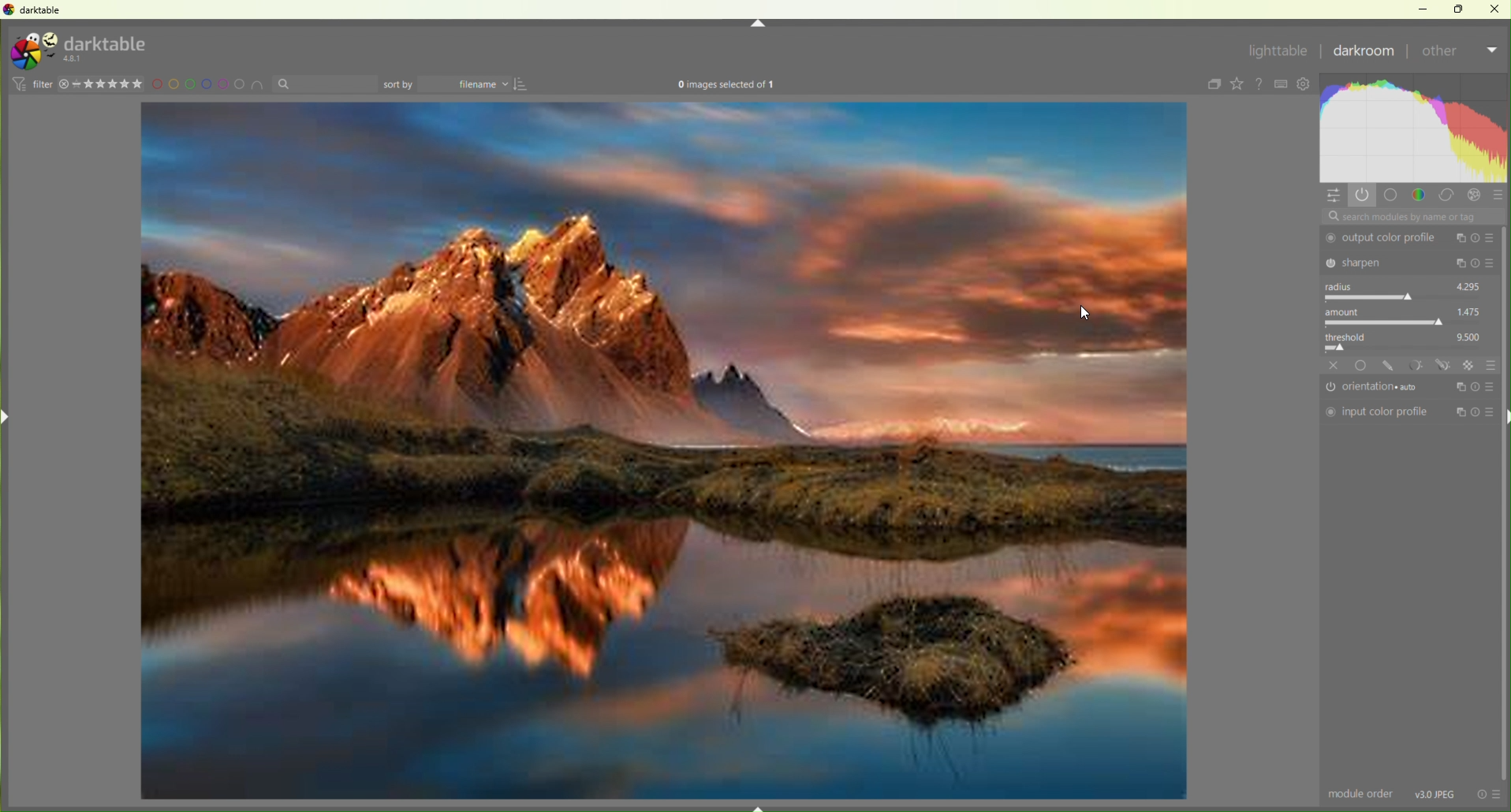 The width and height of the screenshot is (1511, 812). I want to click on range rating, so click(111, 84).